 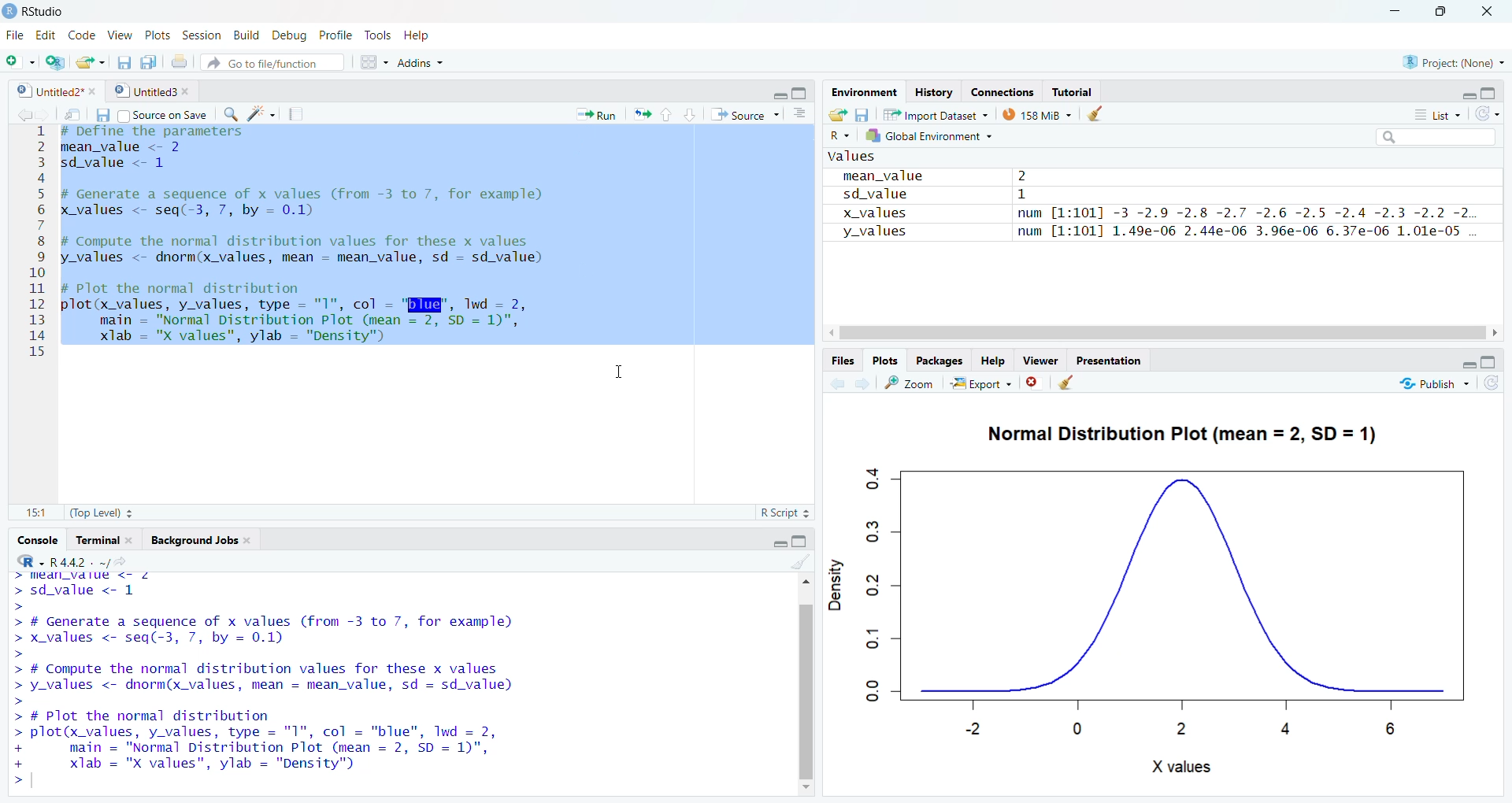 I want to click on forward/backward, so click(x=854, y=380).